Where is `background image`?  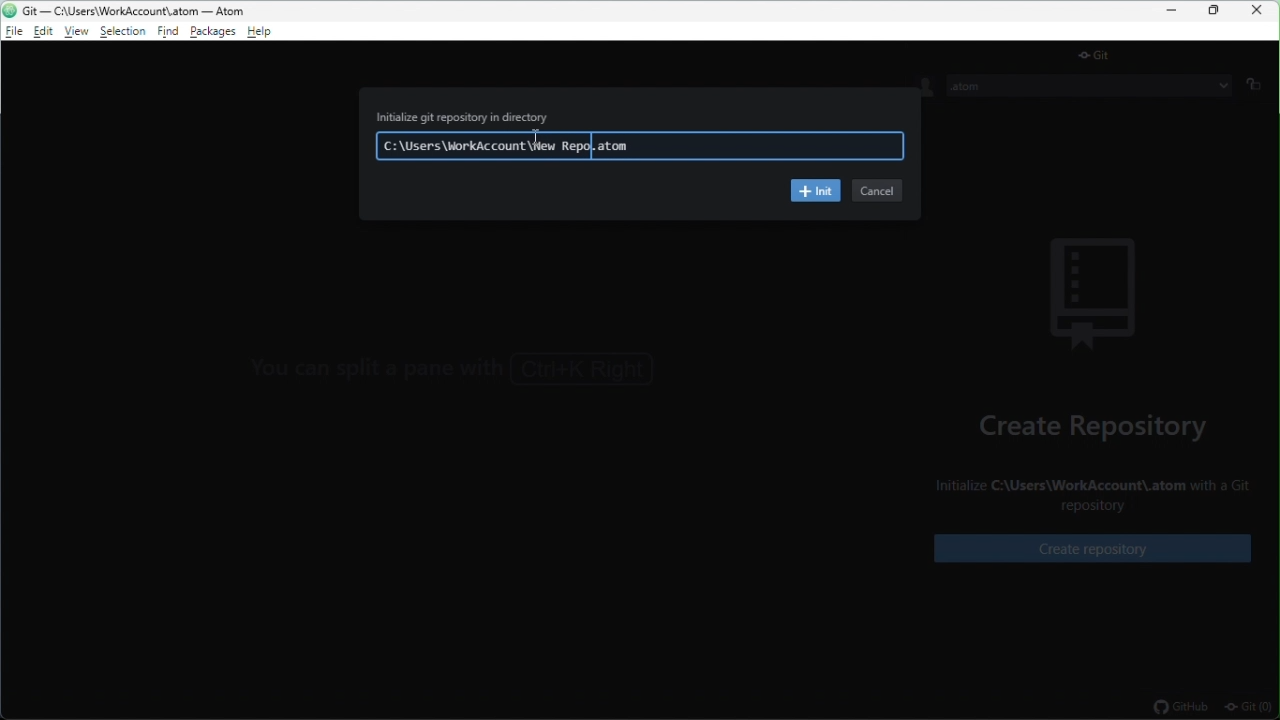 background image is located at coordinates (1100, 292).